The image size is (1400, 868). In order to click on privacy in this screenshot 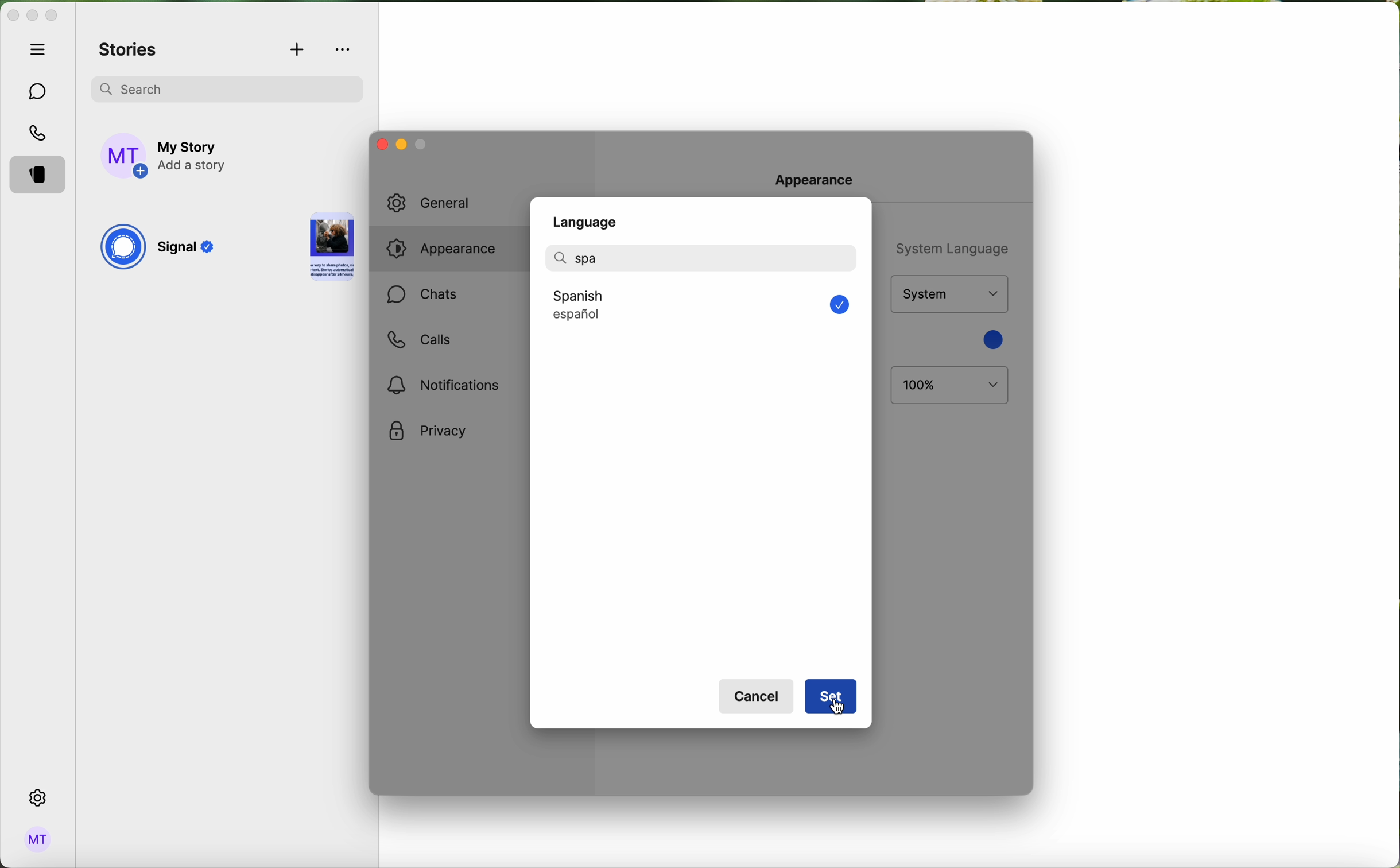, I will do `click(428, 432)`.